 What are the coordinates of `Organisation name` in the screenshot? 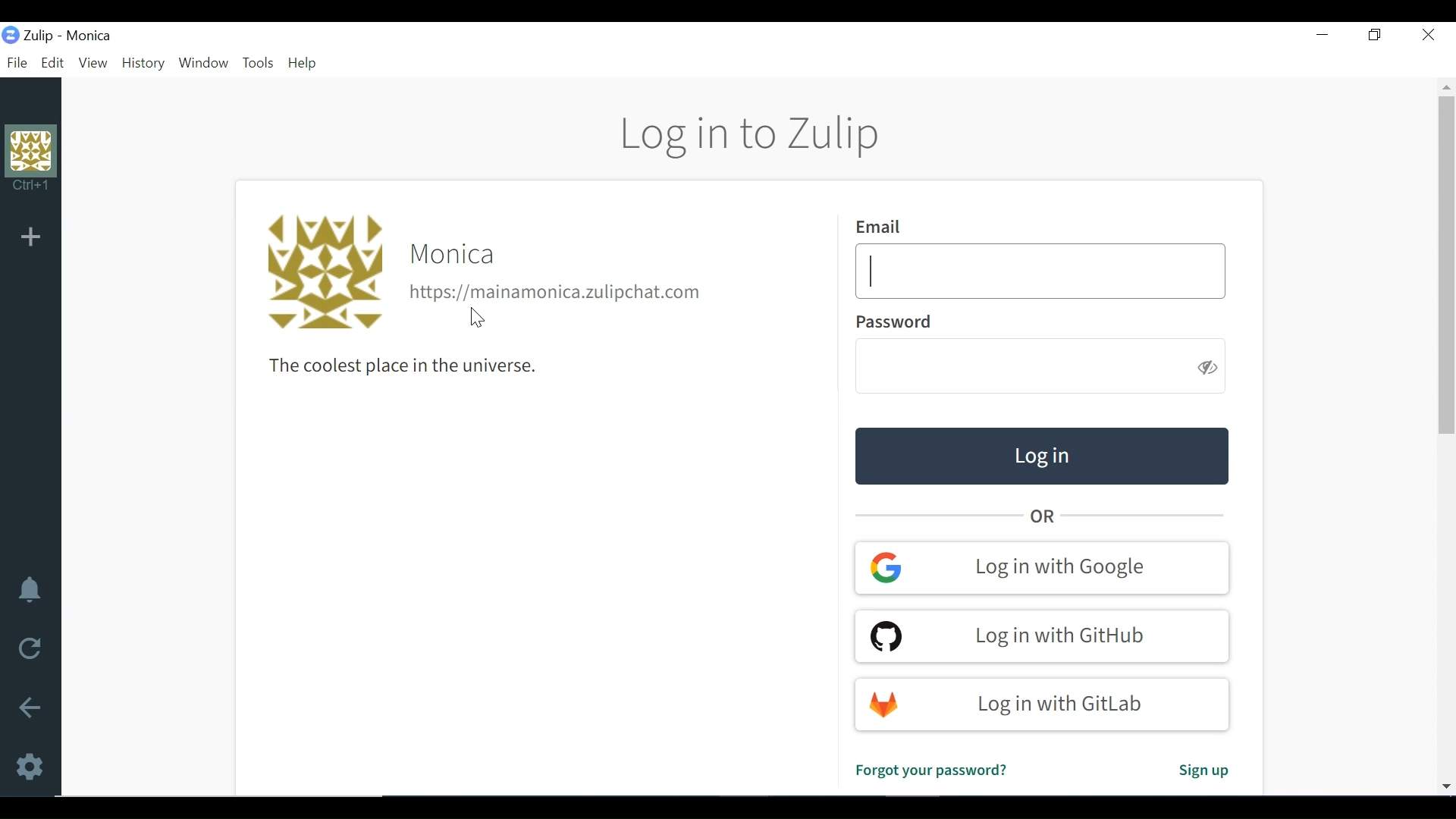 It's located at (456, 255).